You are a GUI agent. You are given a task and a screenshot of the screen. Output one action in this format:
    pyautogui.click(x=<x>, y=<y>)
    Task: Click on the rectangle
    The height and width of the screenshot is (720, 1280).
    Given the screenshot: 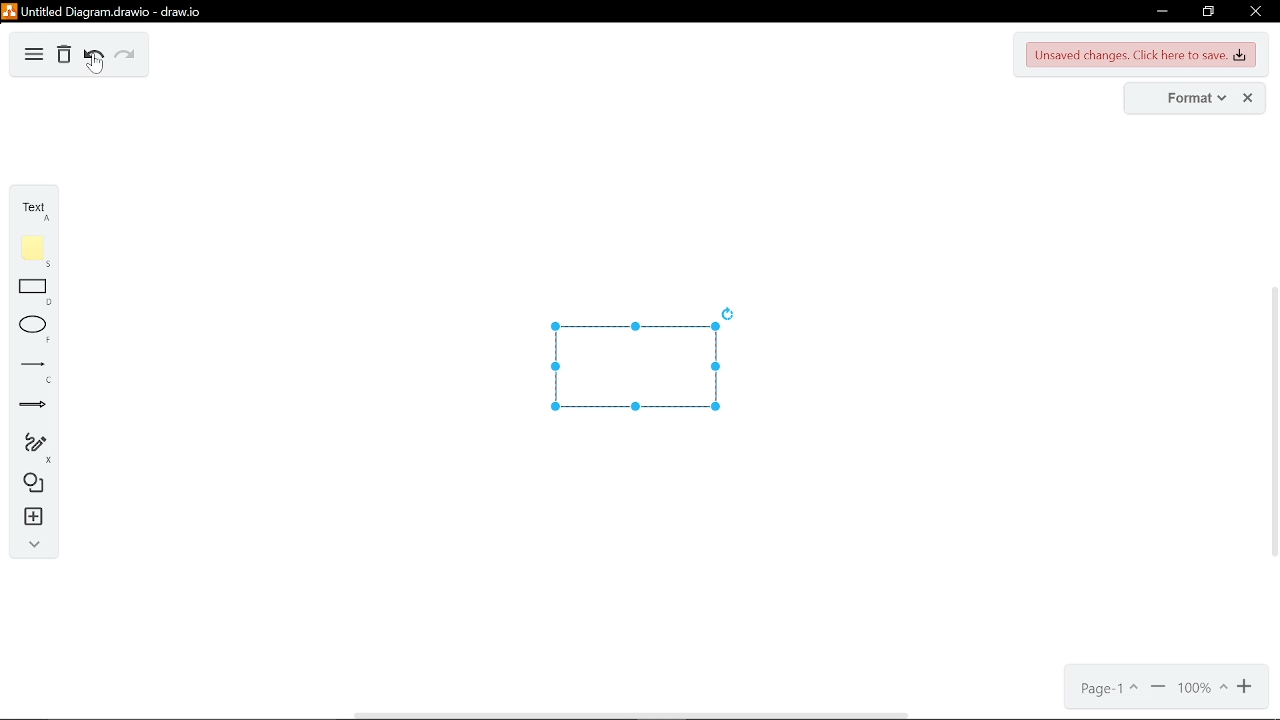 What is the action you would take?
    pyautogui.click(x=35, y=294)
    